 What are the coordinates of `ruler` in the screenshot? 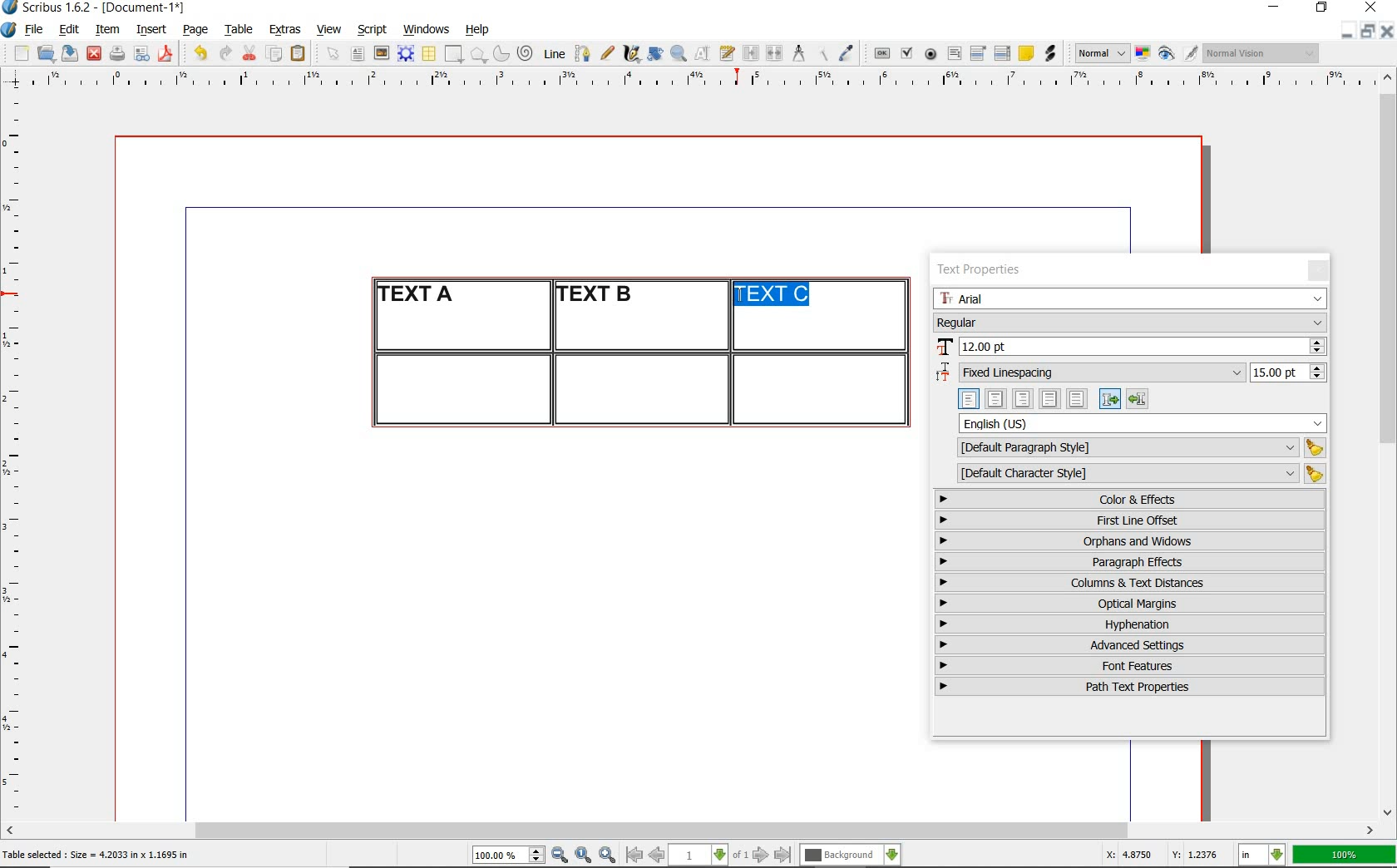 It's located at (709, 81).